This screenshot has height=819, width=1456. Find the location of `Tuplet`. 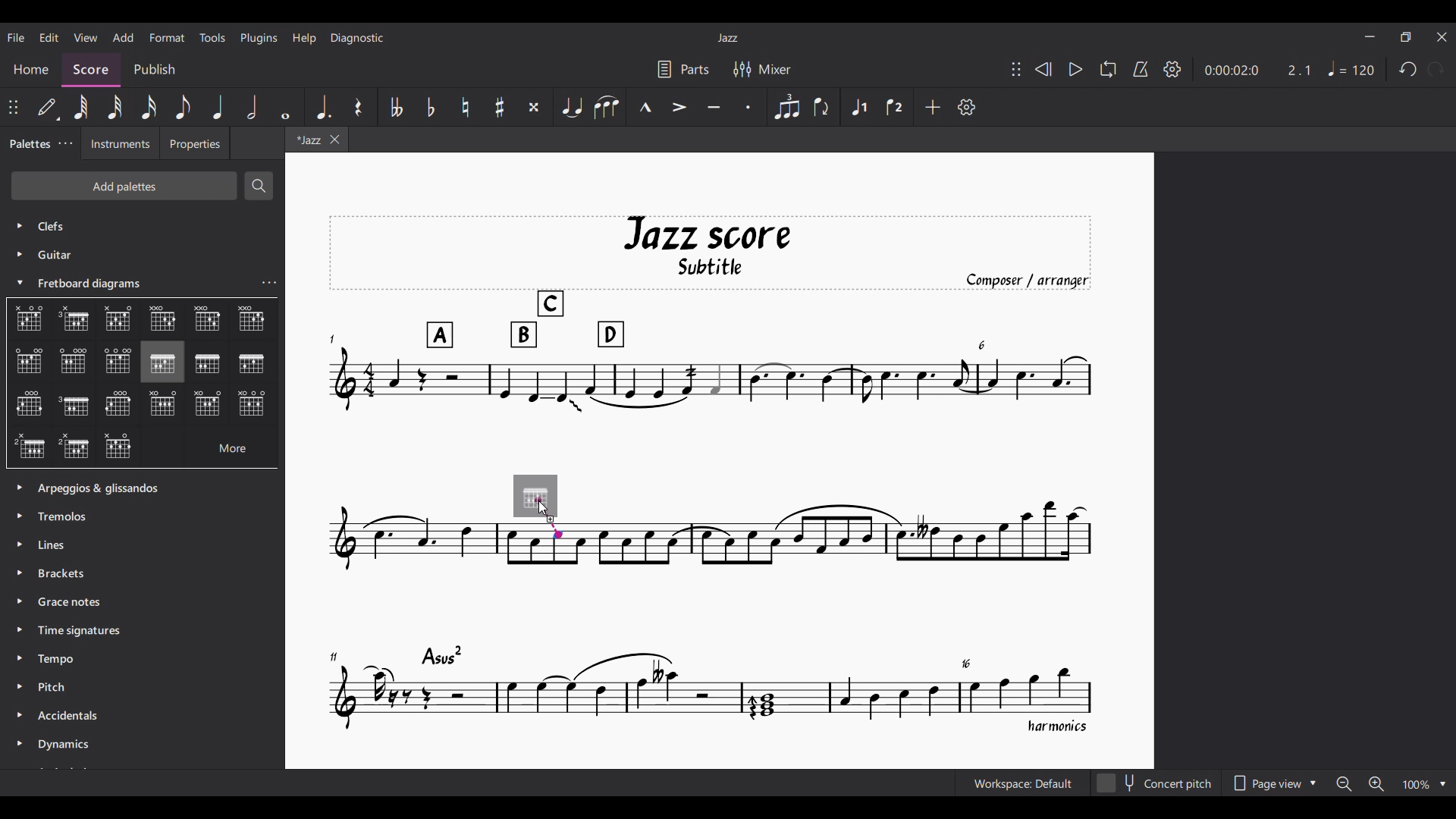

Tuplet is located at coordinates (786, 108).